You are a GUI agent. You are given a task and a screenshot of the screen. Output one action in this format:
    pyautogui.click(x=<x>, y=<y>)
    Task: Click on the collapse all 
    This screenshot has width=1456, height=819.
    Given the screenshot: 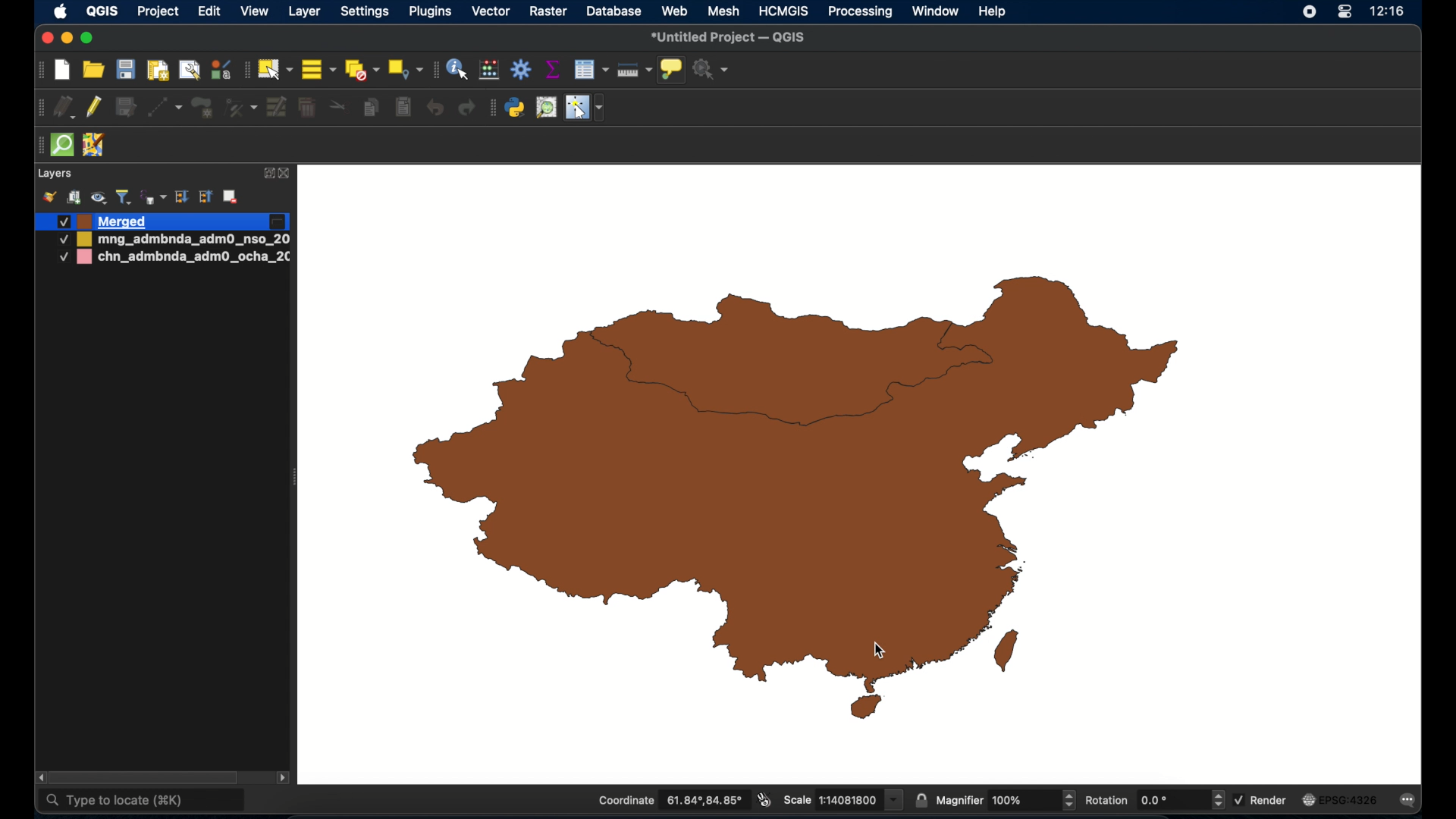 What is the action you would take?
    pyautogui.click(x=206, y=199)
    